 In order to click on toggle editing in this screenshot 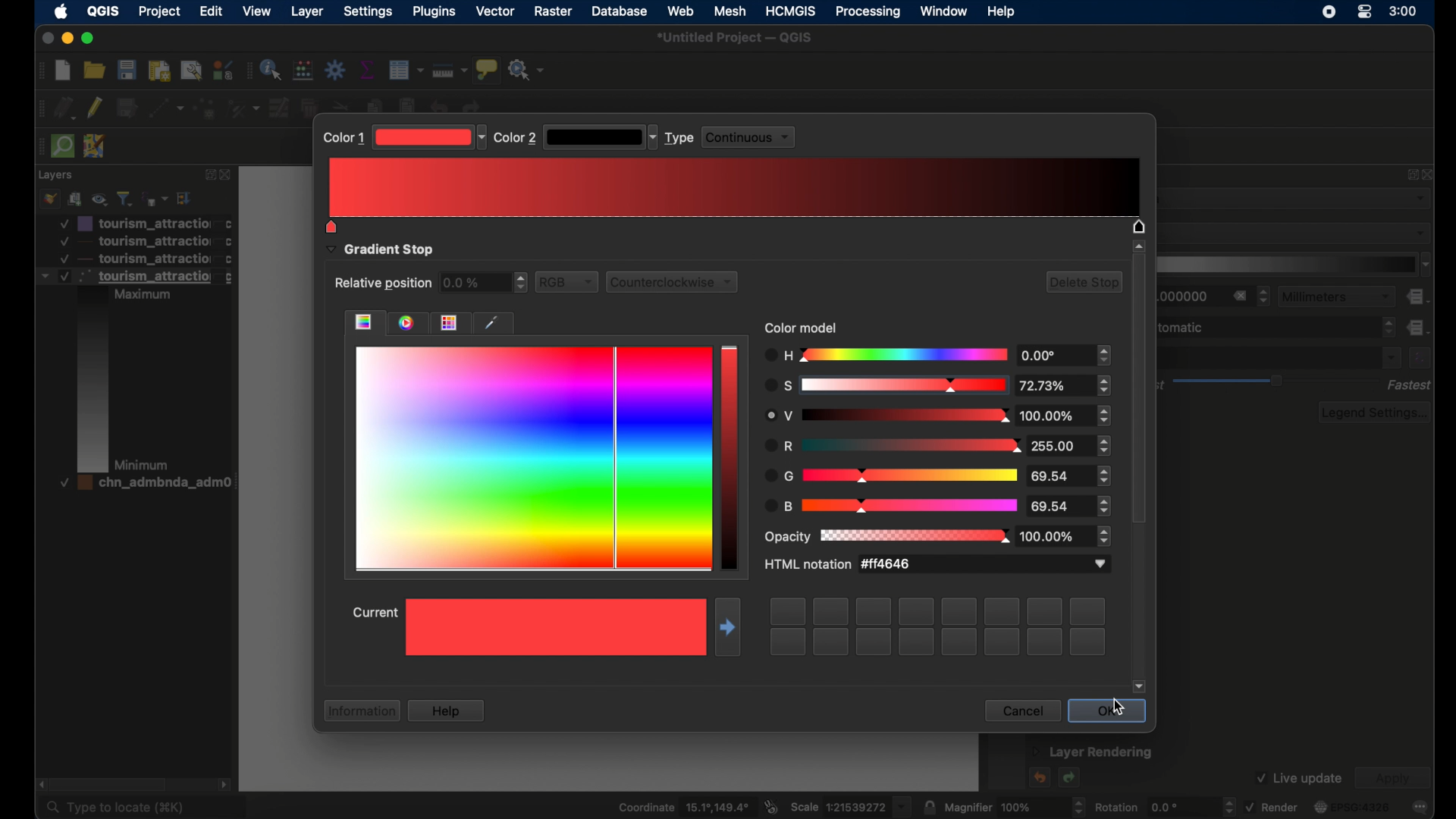, I will do `click(95, 108)`.